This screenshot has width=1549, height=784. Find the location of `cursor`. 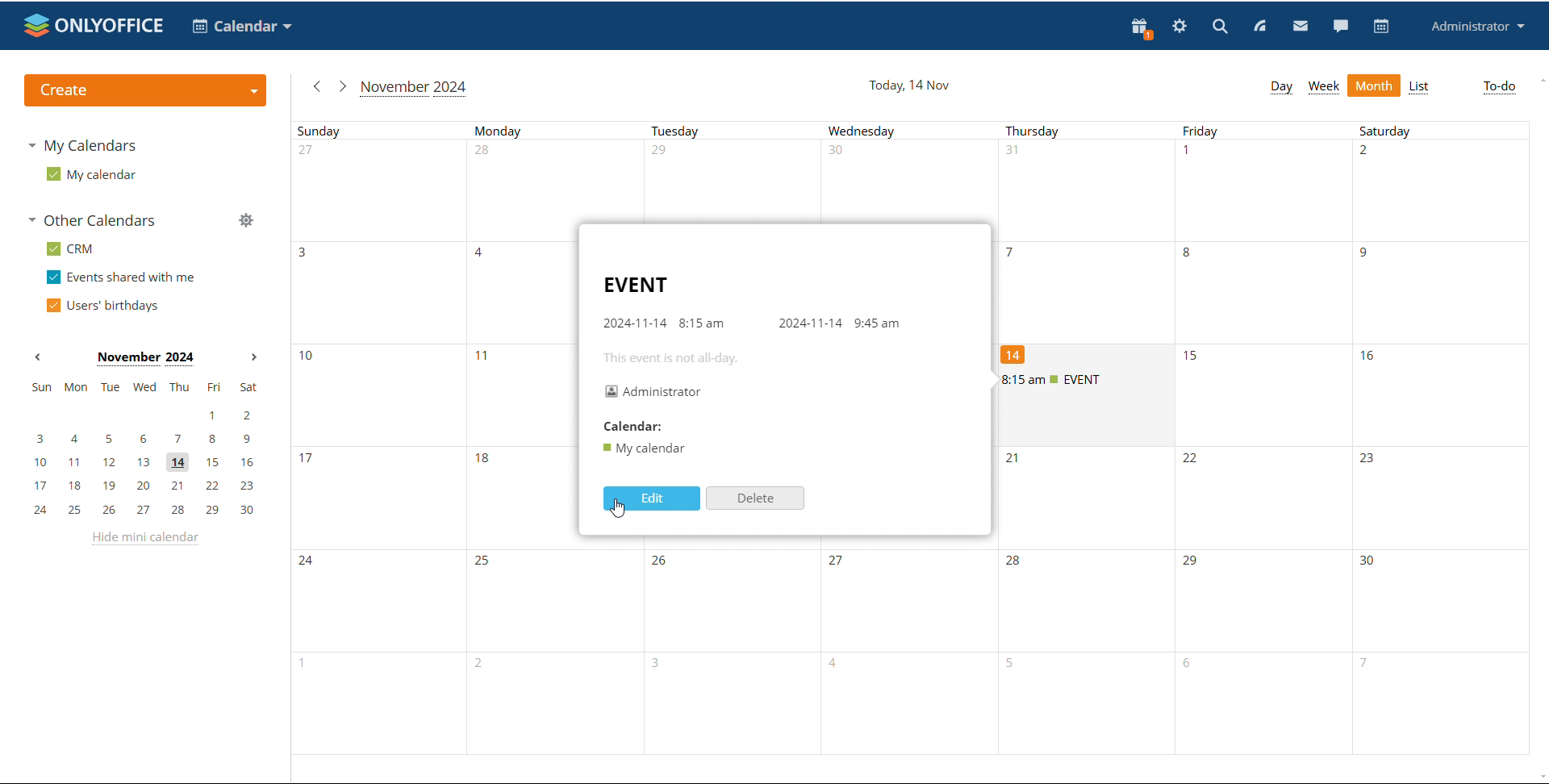

cursor is located at coordinates (623, 515).